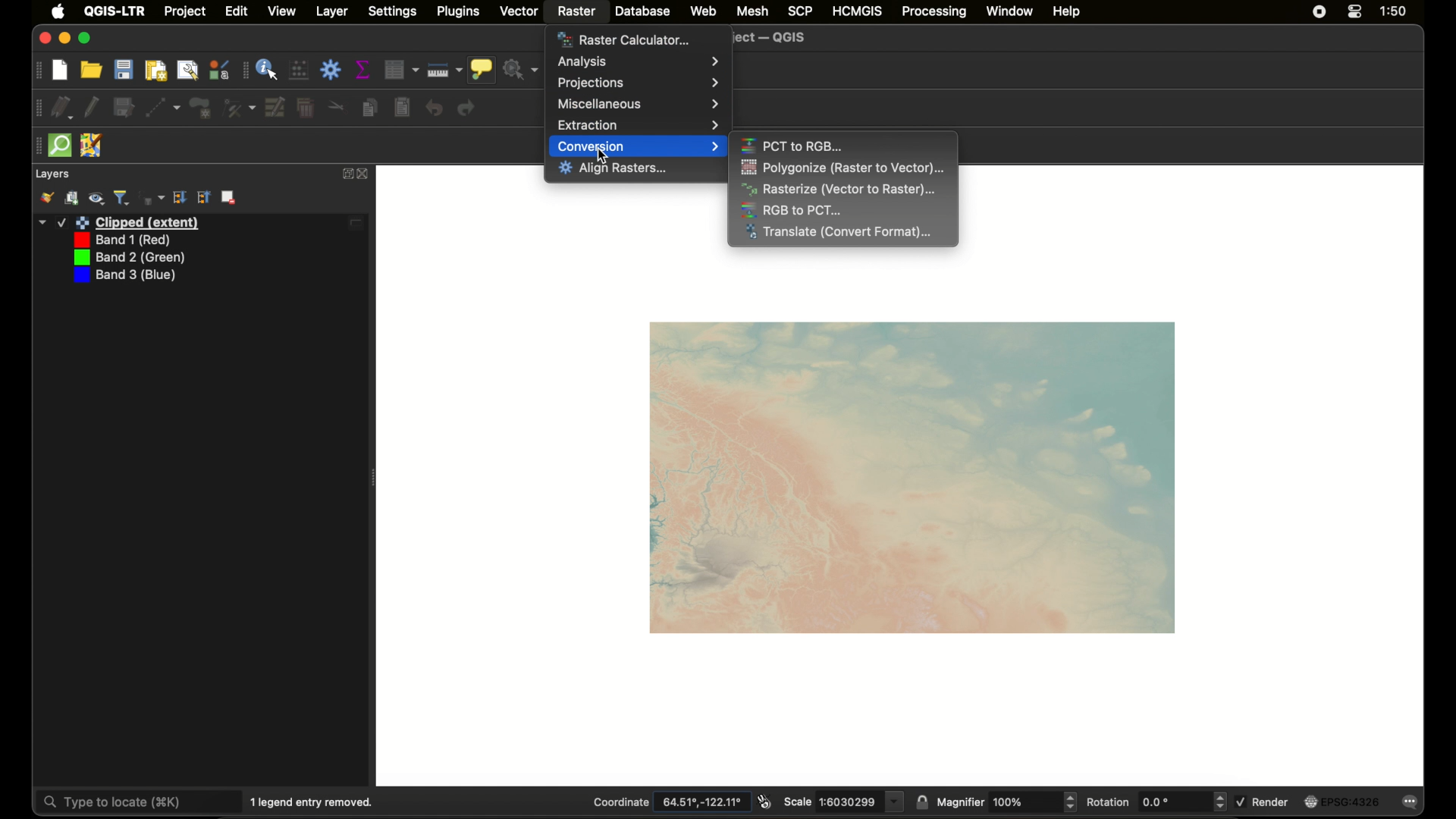  What do you see at coordinates (704, 11) in the screenshot?
I see `web` at bounding box center [704, 11].